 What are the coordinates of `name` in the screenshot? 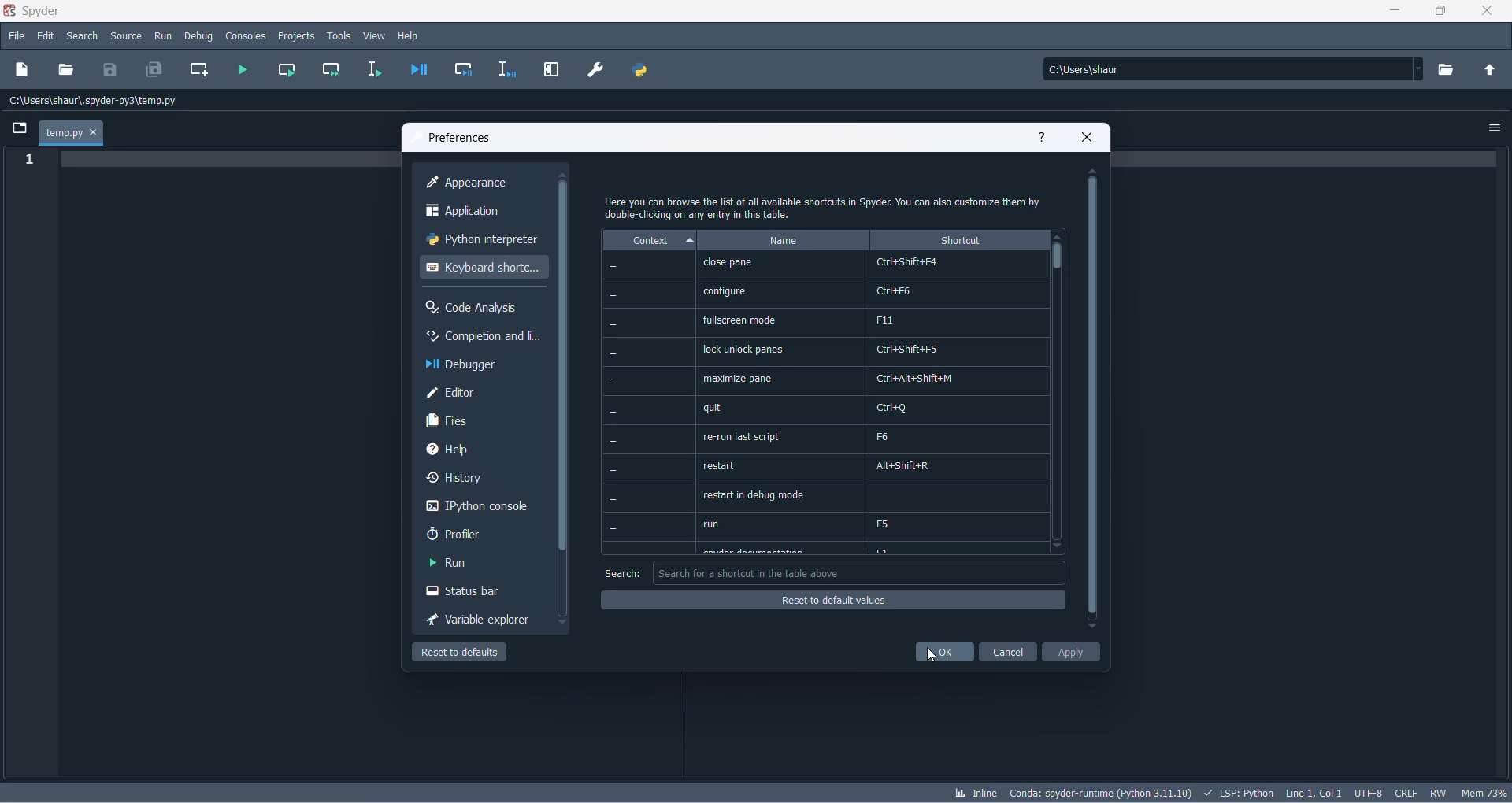 It's located at (784, 239).